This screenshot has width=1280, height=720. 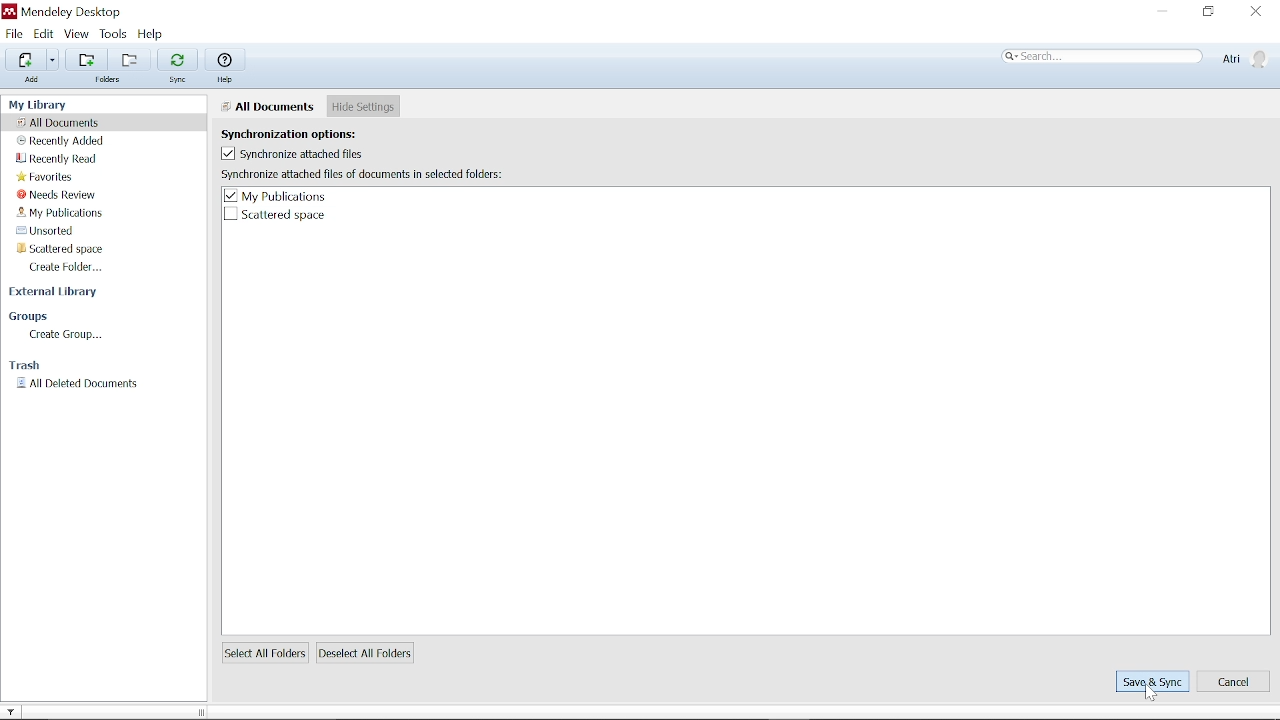 What do you see at coordinates (62, 214) in the screenshot?
I see `My publication` at bounding box center [62, 214].